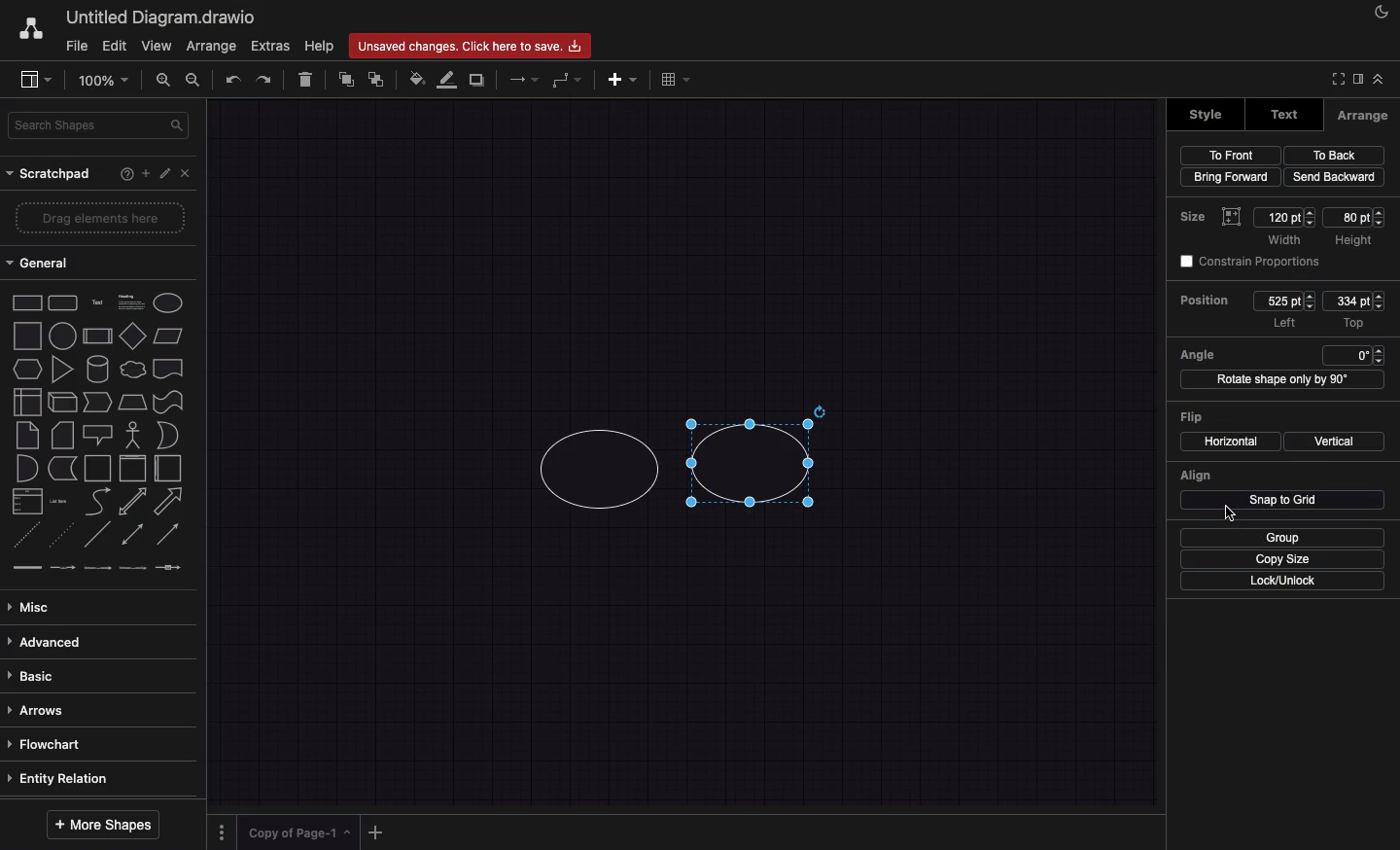 The height and width of the screenshot is (850, 1400). Describe the element at coordinates (92, 778) in the screenshot. I see `entity relation` at that location.